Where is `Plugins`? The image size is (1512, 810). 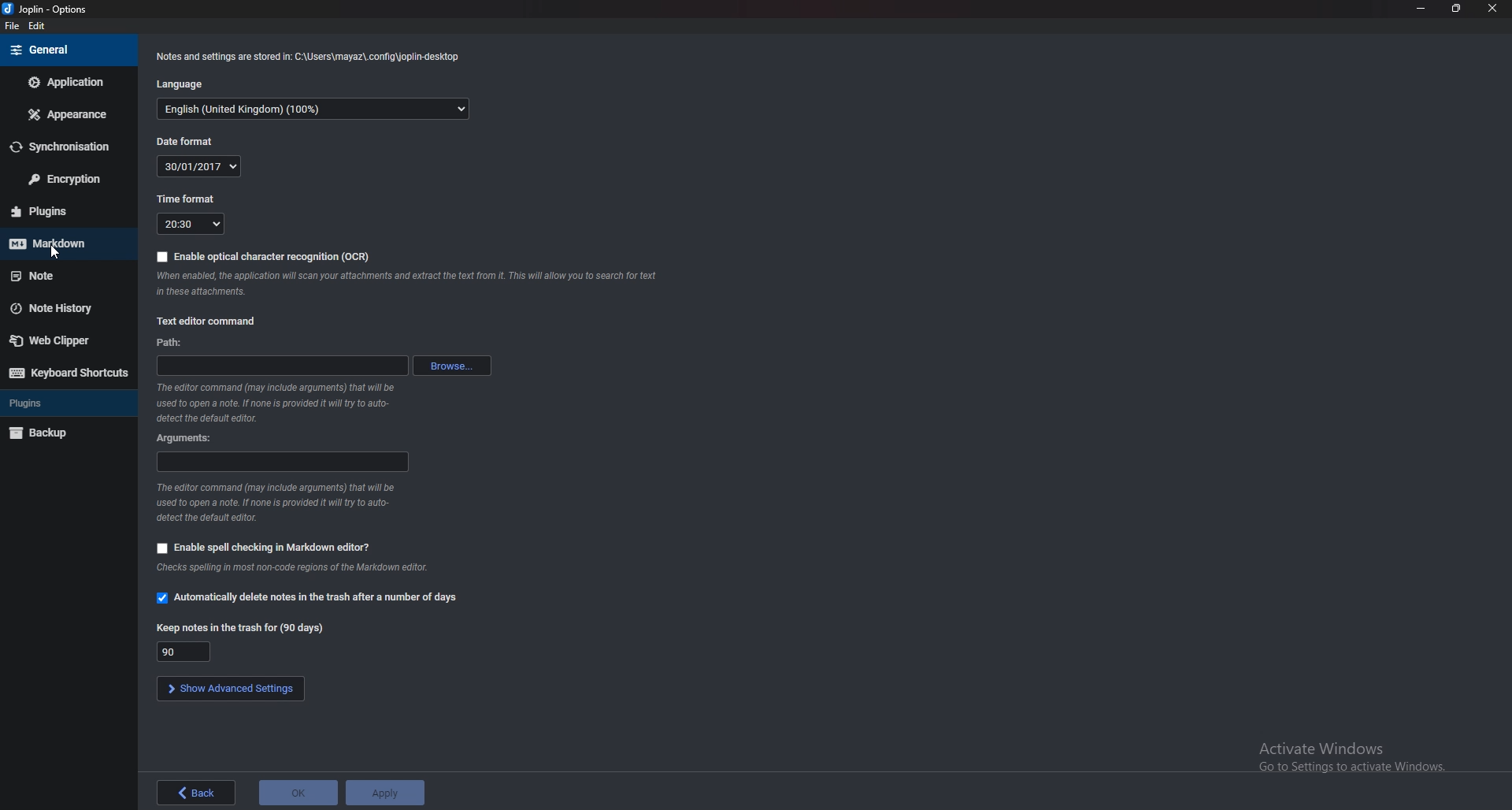 Plugins is located at coordinates (61, 211).